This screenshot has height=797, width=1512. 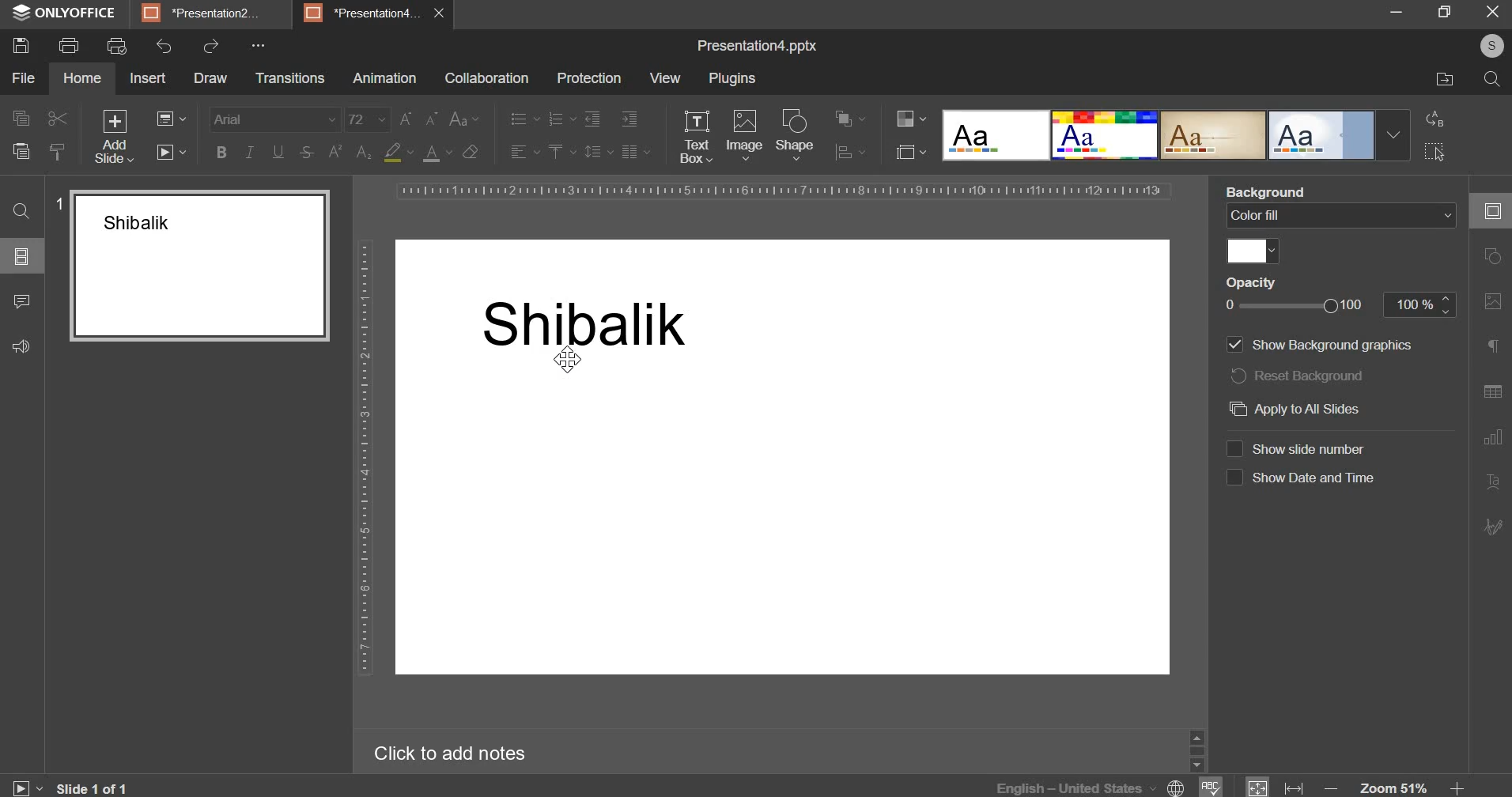 What do you see at coordinates (589, 78) in the screenshot?
I see `protection` at bounding box center [589, 78].